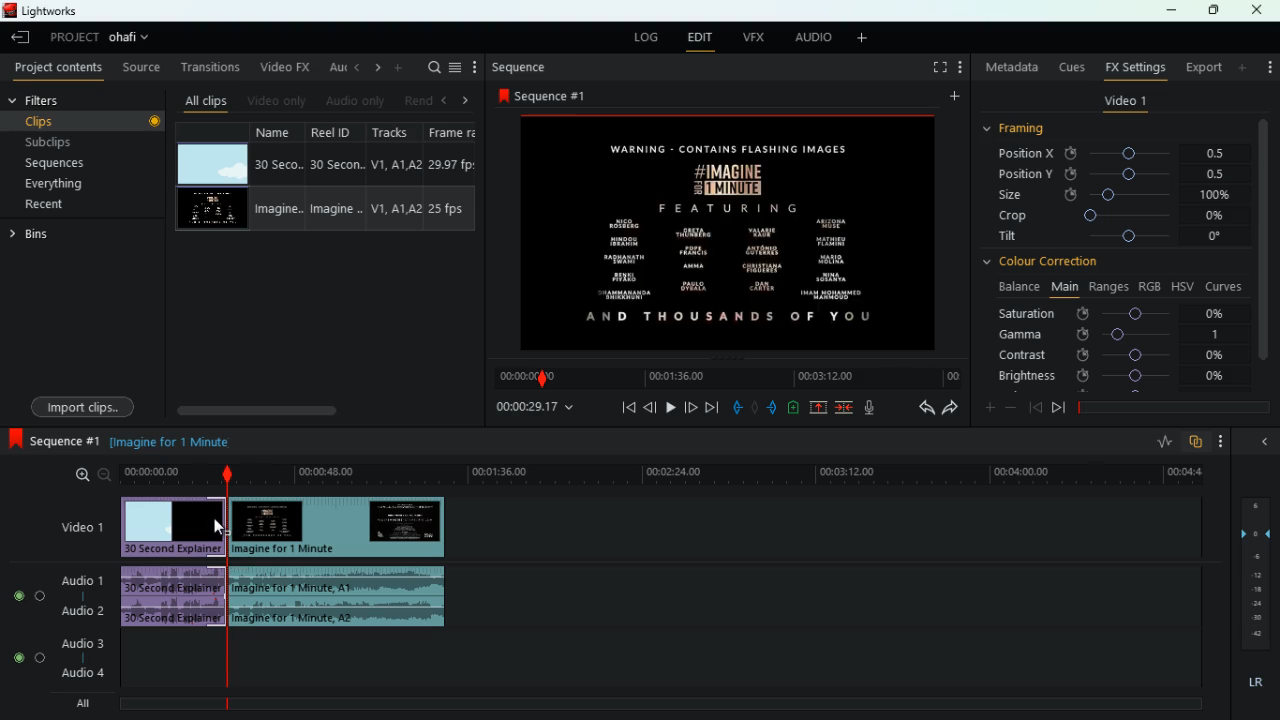 This screenshot has width=1280, height=720. I want to click on slider position changed, so click(227, 479).